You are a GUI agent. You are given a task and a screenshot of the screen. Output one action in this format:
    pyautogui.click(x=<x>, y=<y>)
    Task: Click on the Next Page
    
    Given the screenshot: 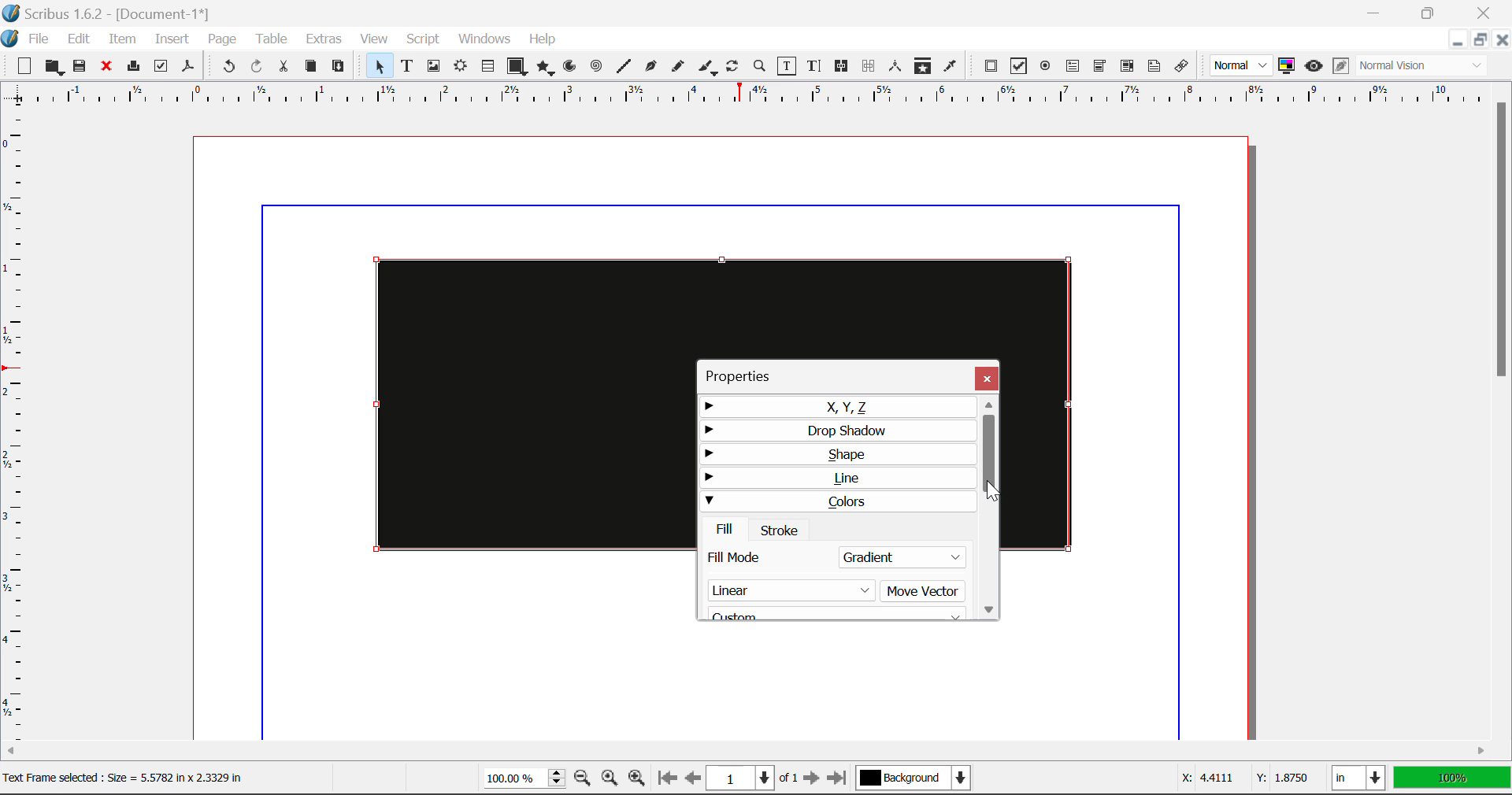 What is the action you would take?
    pyautogui.click(x=811, y=779)
    